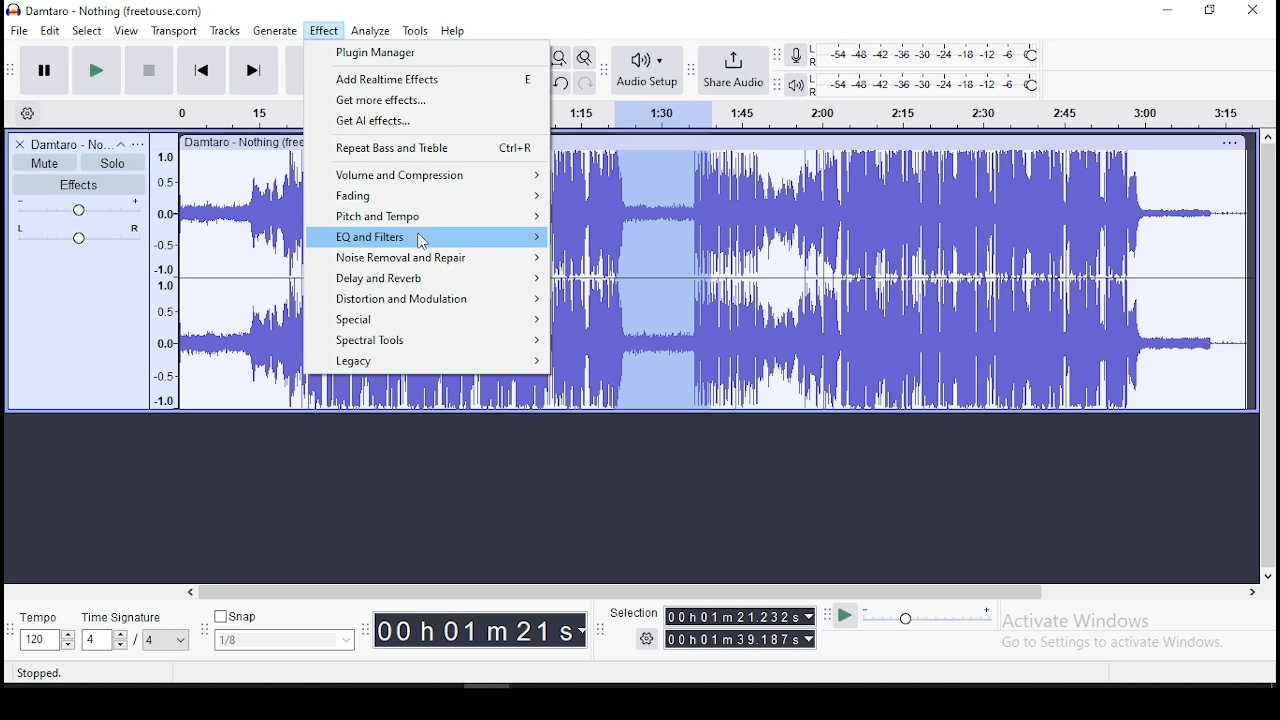  What do you see at coordinates (227, 31) in the screenshot?
I see `tracks` at bounding box center [227, 31].